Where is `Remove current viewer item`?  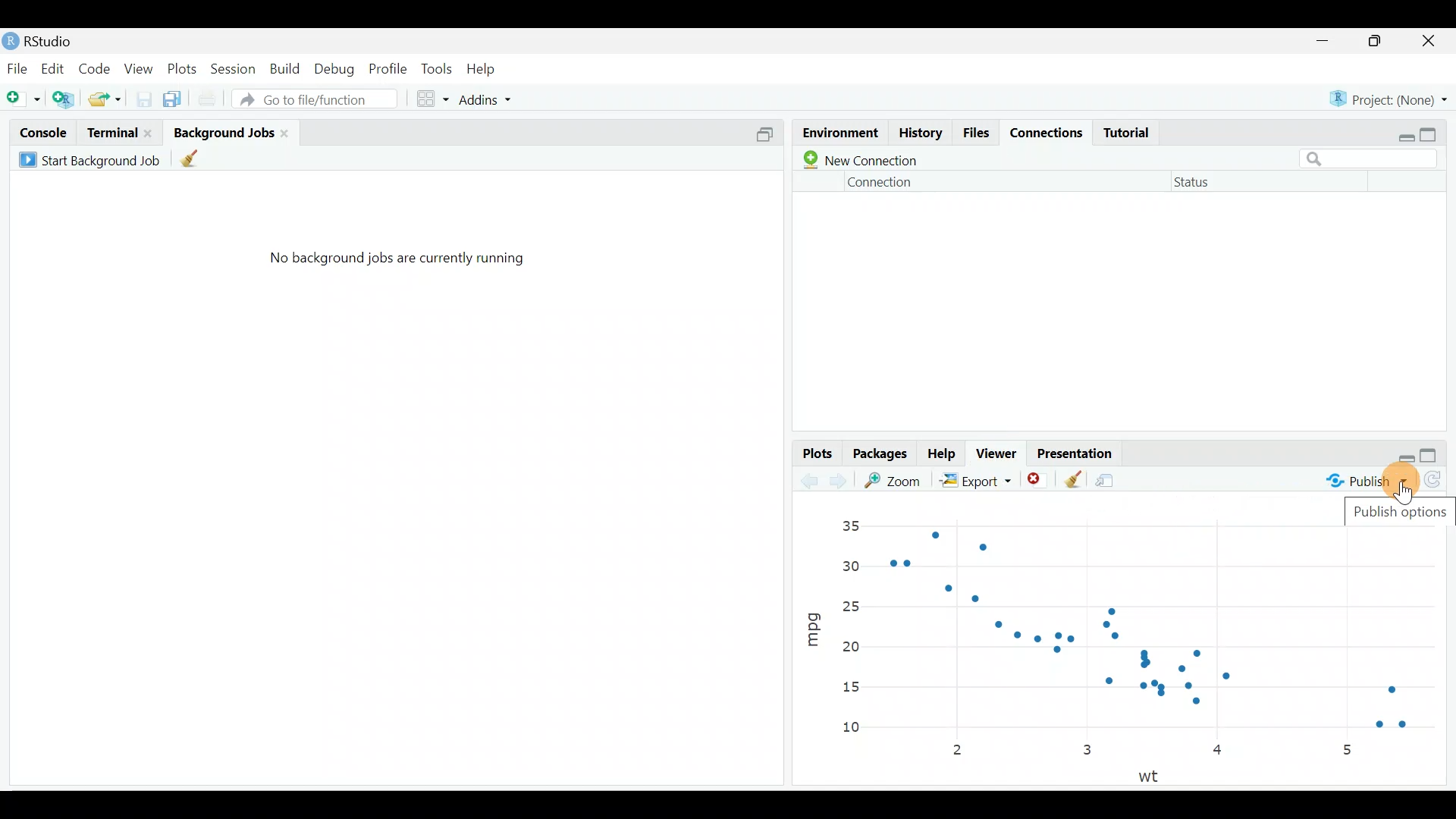
Remove current viewer item is located at coordinates (1039, 480).